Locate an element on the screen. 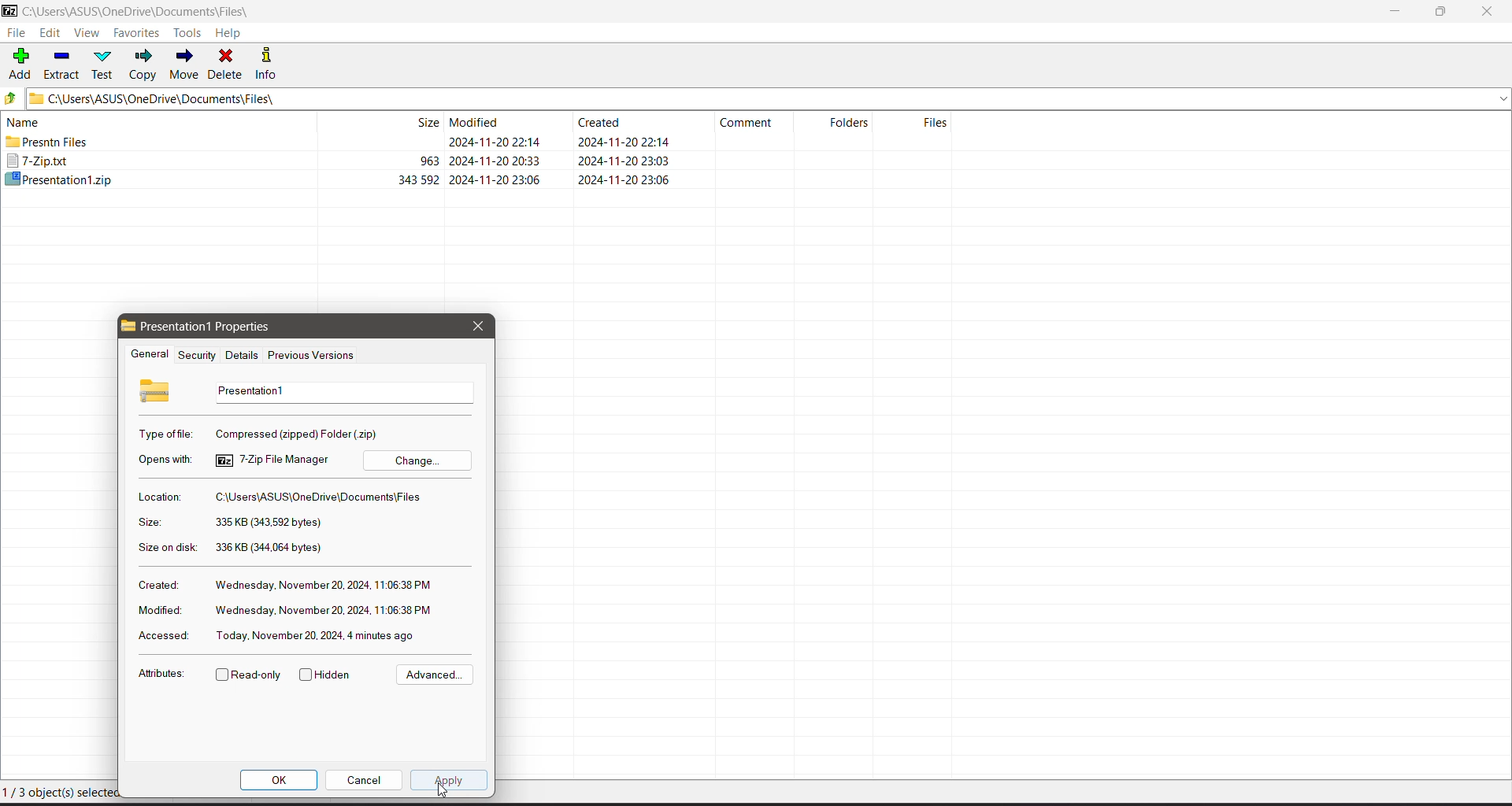 The height and width of the screenshot is (806, 1512). Info is located at coordinates (272, 63).